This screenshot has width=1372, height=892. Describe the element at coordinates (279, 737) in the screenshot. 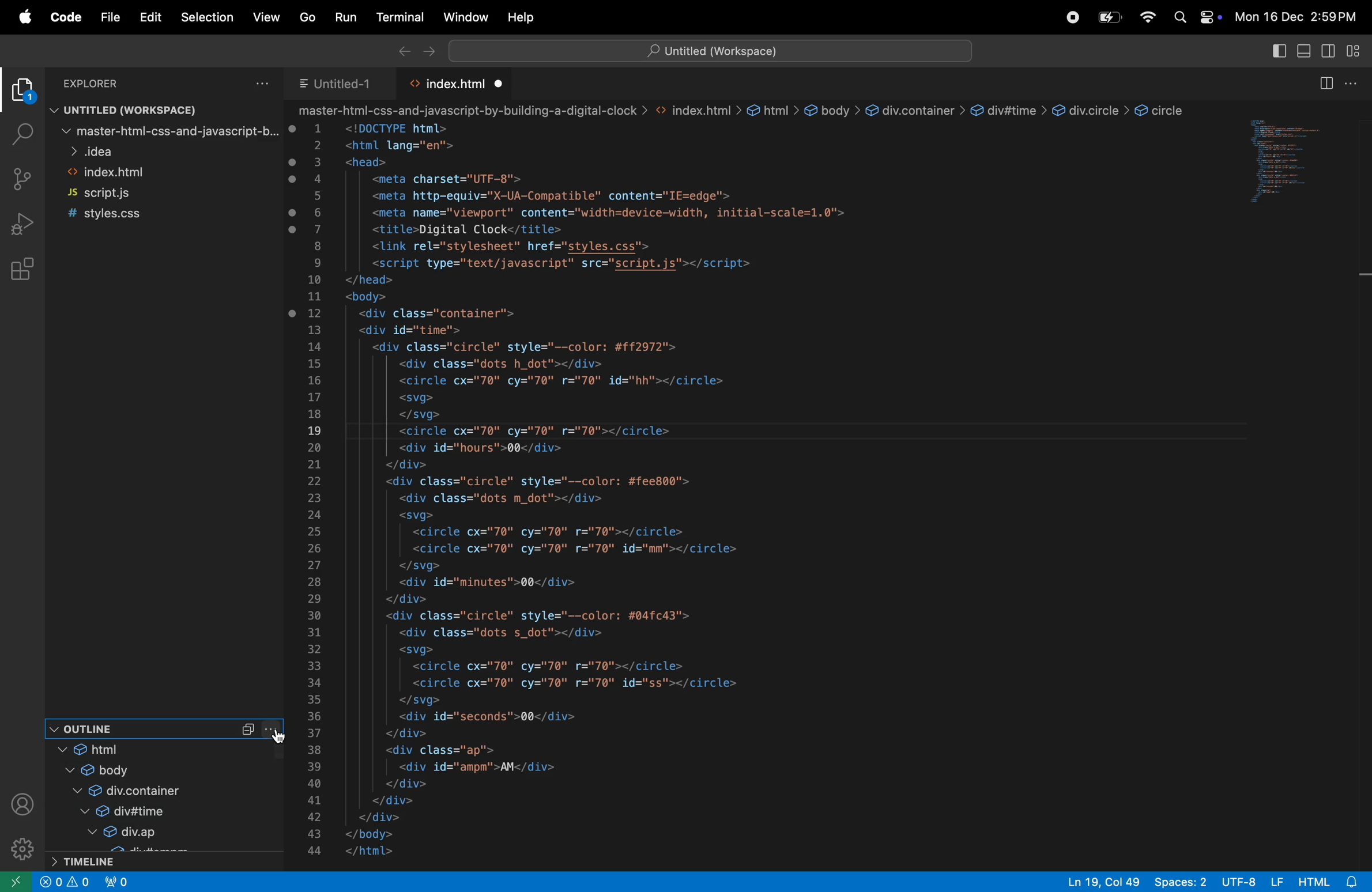

I see `cursor` at that location.